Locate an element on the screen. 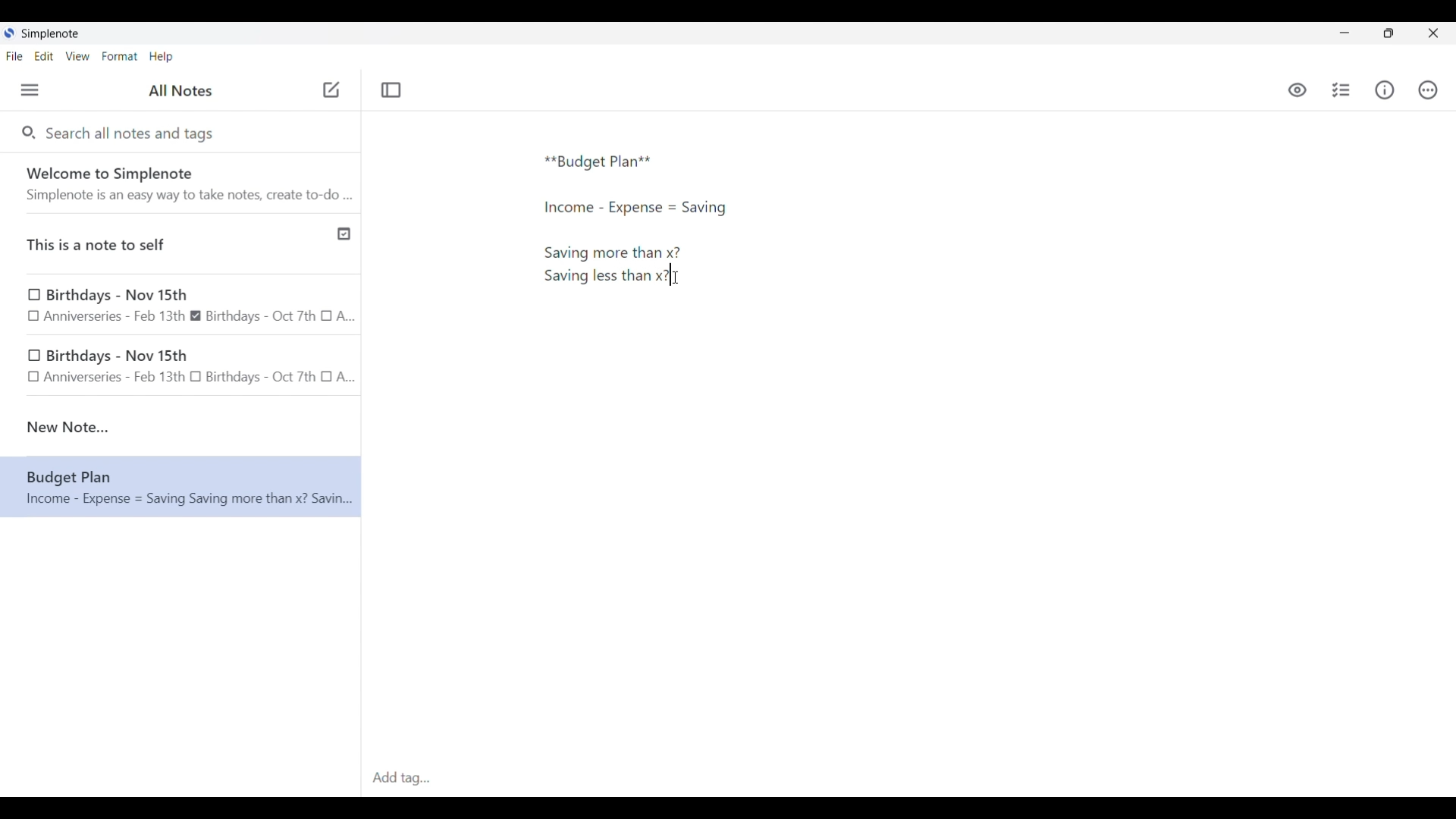 Image resolution: width=1456 pixels, height=819 pixels. Cursor is located at coordinates (675, 277).